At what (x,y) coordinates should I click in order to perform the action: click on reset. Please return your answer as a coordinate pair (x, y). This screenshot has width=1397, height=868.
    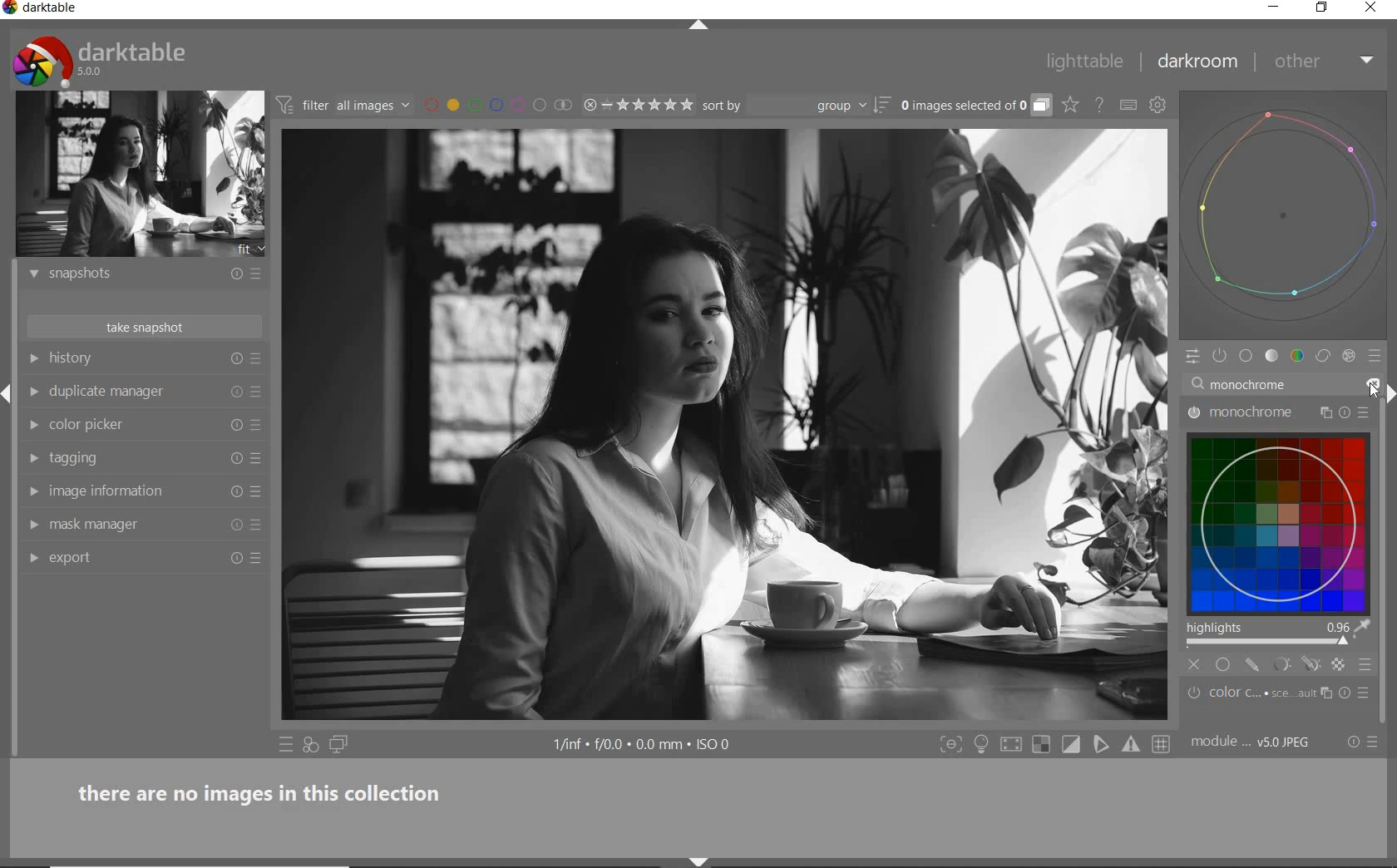
    Looking at the image, I should click on (1345, 412).